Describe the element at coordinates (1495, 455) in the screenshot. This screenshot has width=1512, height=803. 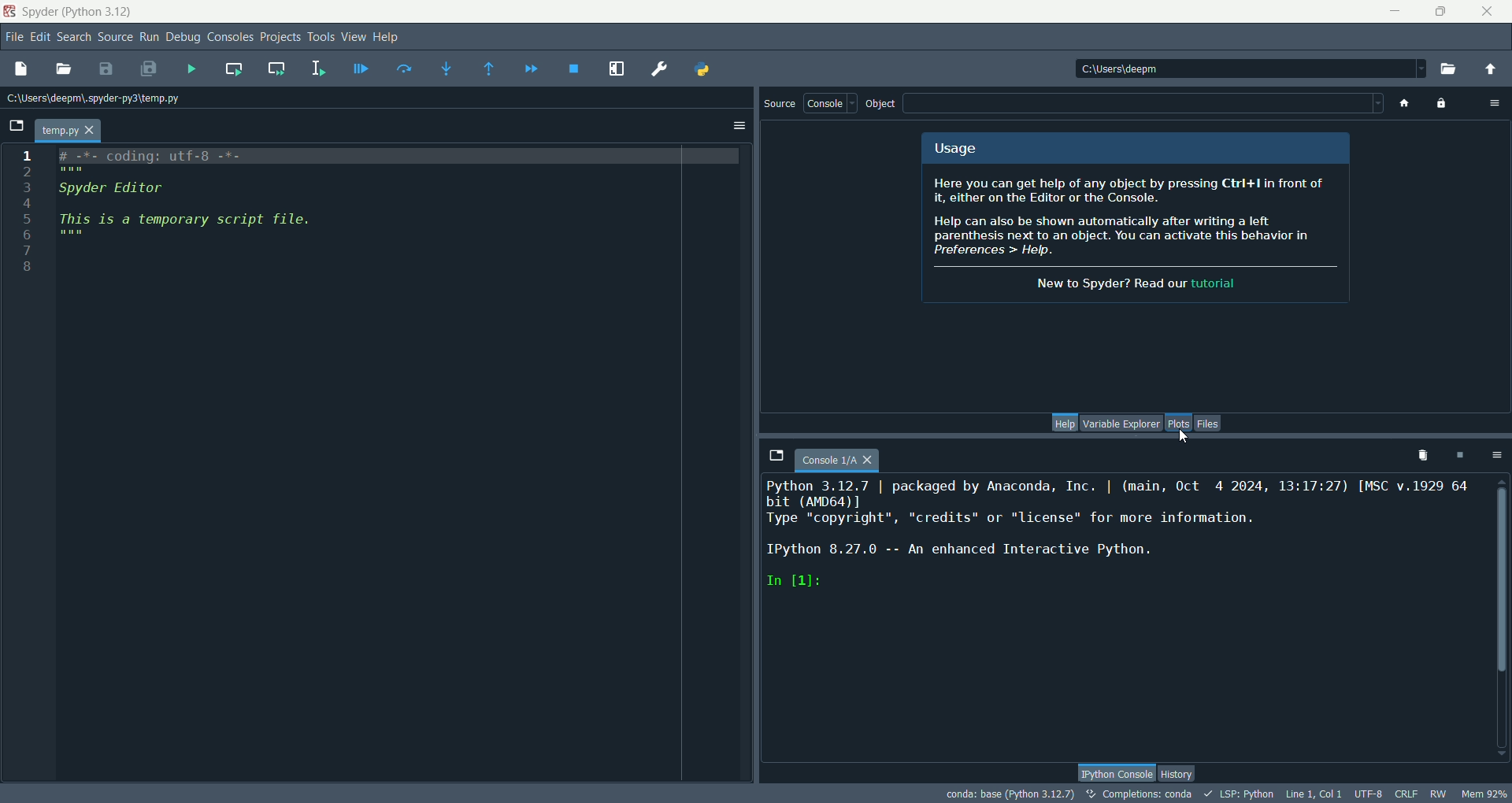
I see `options` at that location.